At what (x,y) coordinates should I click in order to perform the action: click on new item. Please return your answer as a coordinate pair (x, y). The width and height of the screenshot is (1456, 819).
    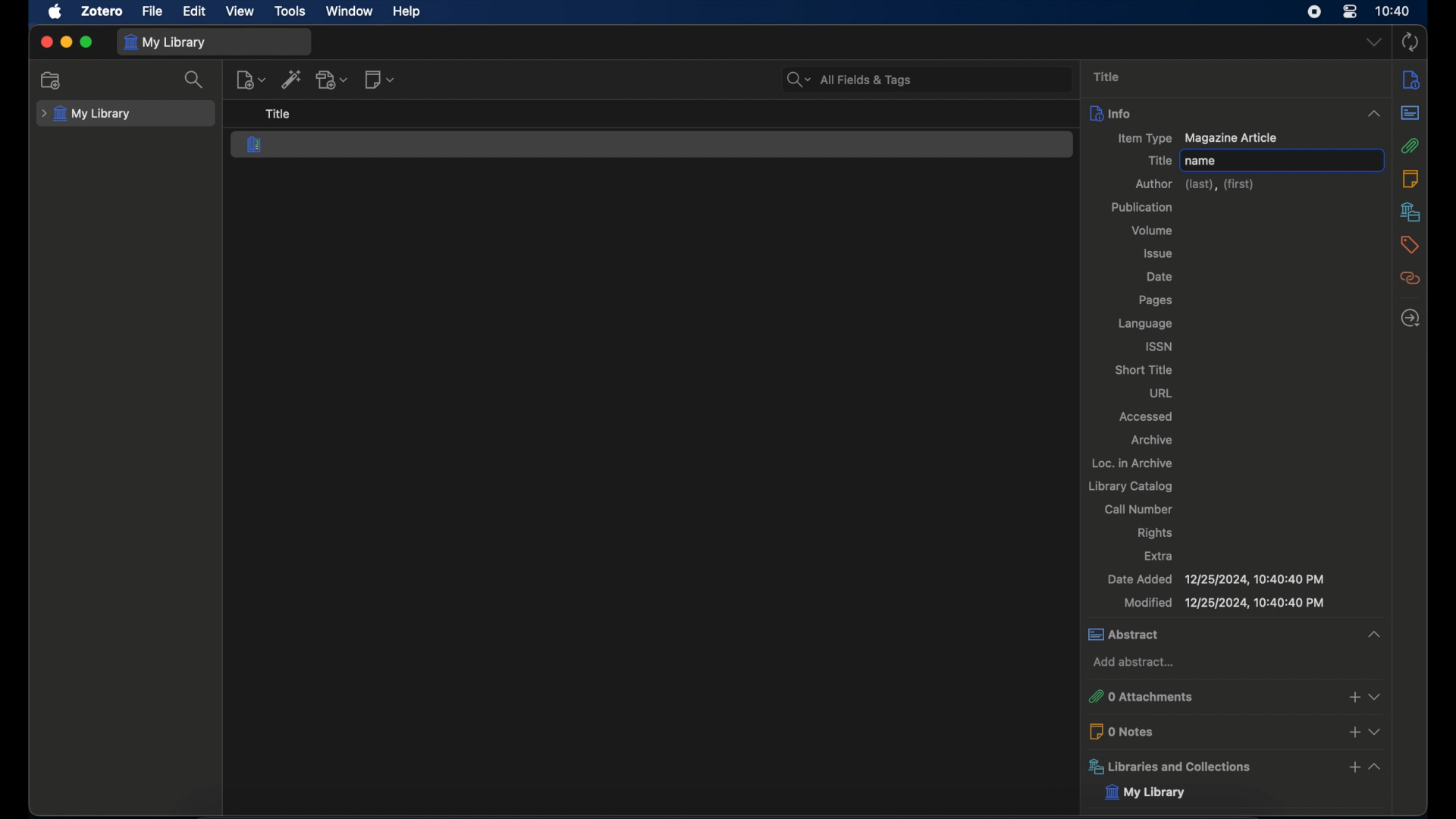
    Looking at the image, I should click on (250, 80).